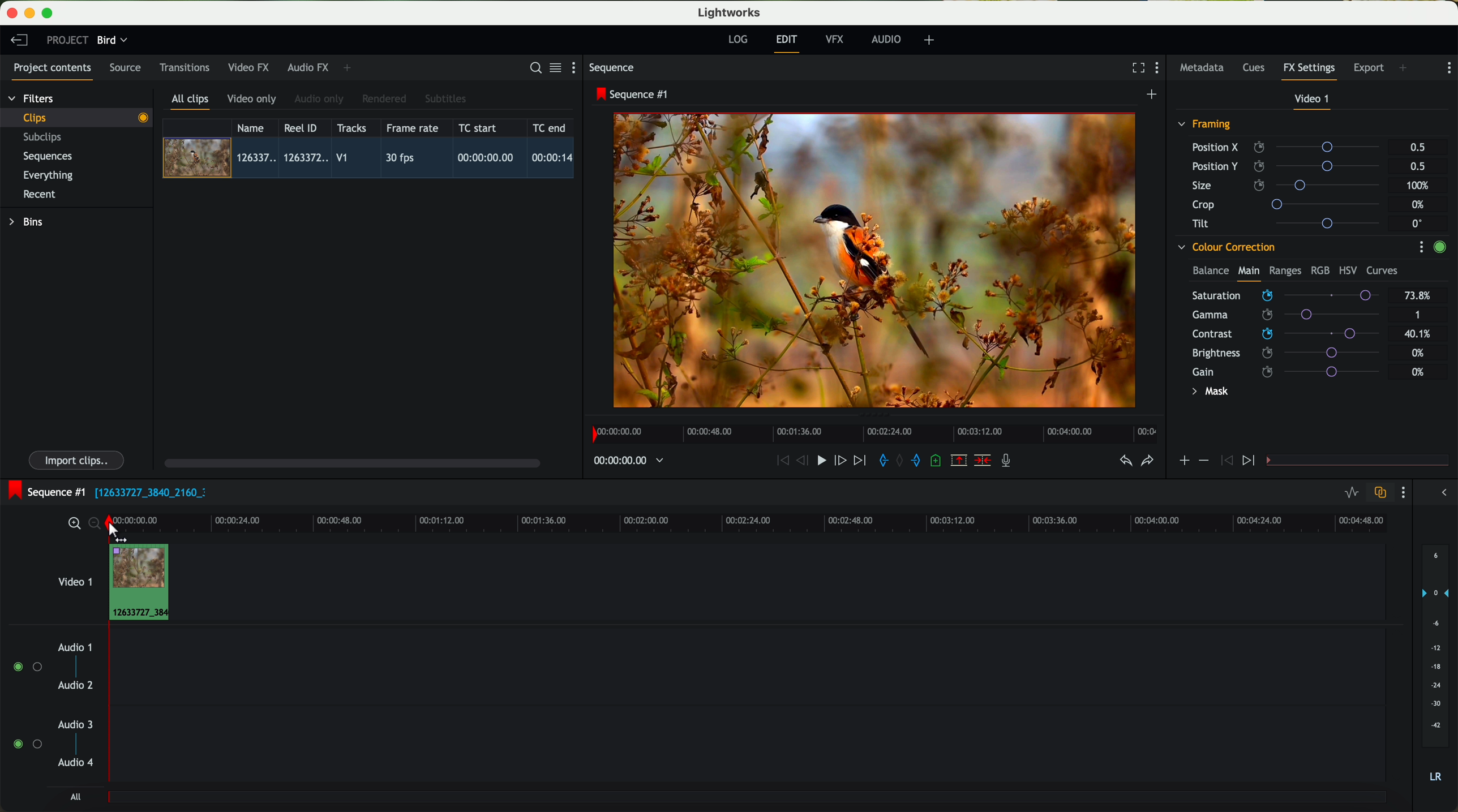 The width and height of the screenshot is (1458, 812). What do you see at coordinates (184, 67) in the screenshot?
I see `transitions` at bounding box center [184, 67].